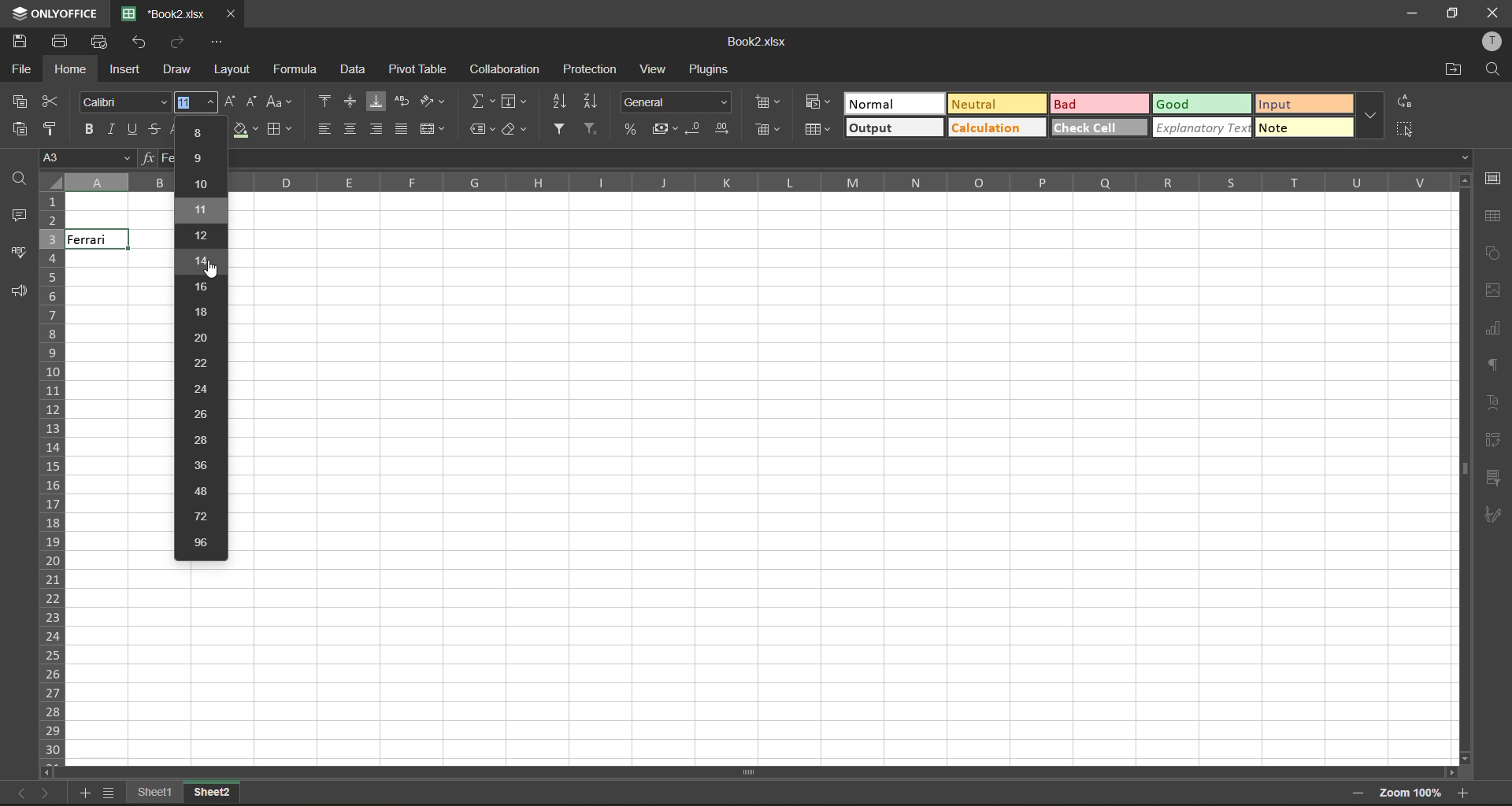 Image resolution: width=1512 pixels, height=806 pixels. Describe the element at coordinates (1410, 793) in the screenshot. I see `zoom factor` at that location.